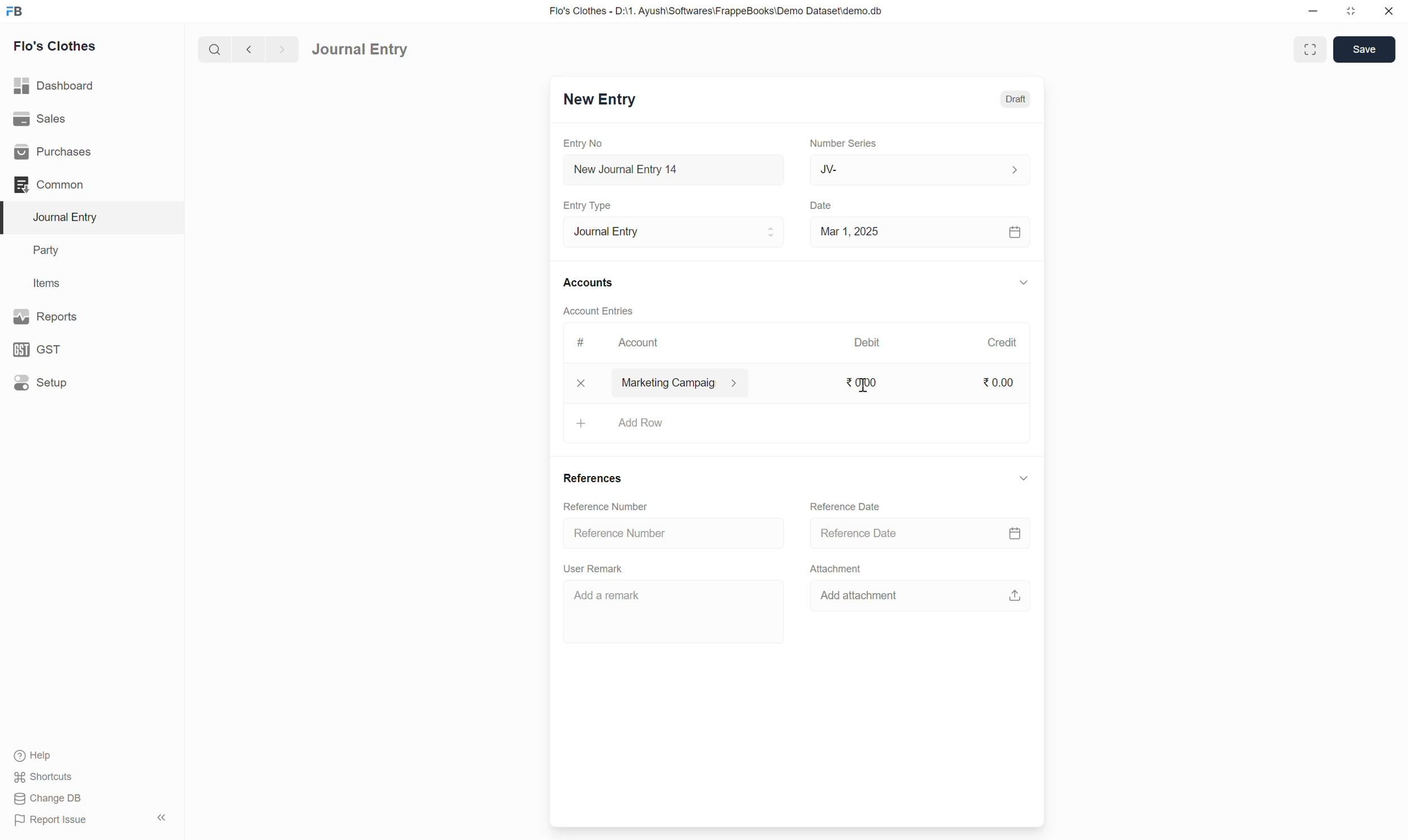 The width and height of the screenshot is (1408, 840). Describe the element at coordinates (1022, 479) in the screenshot. I see `down` at that location.